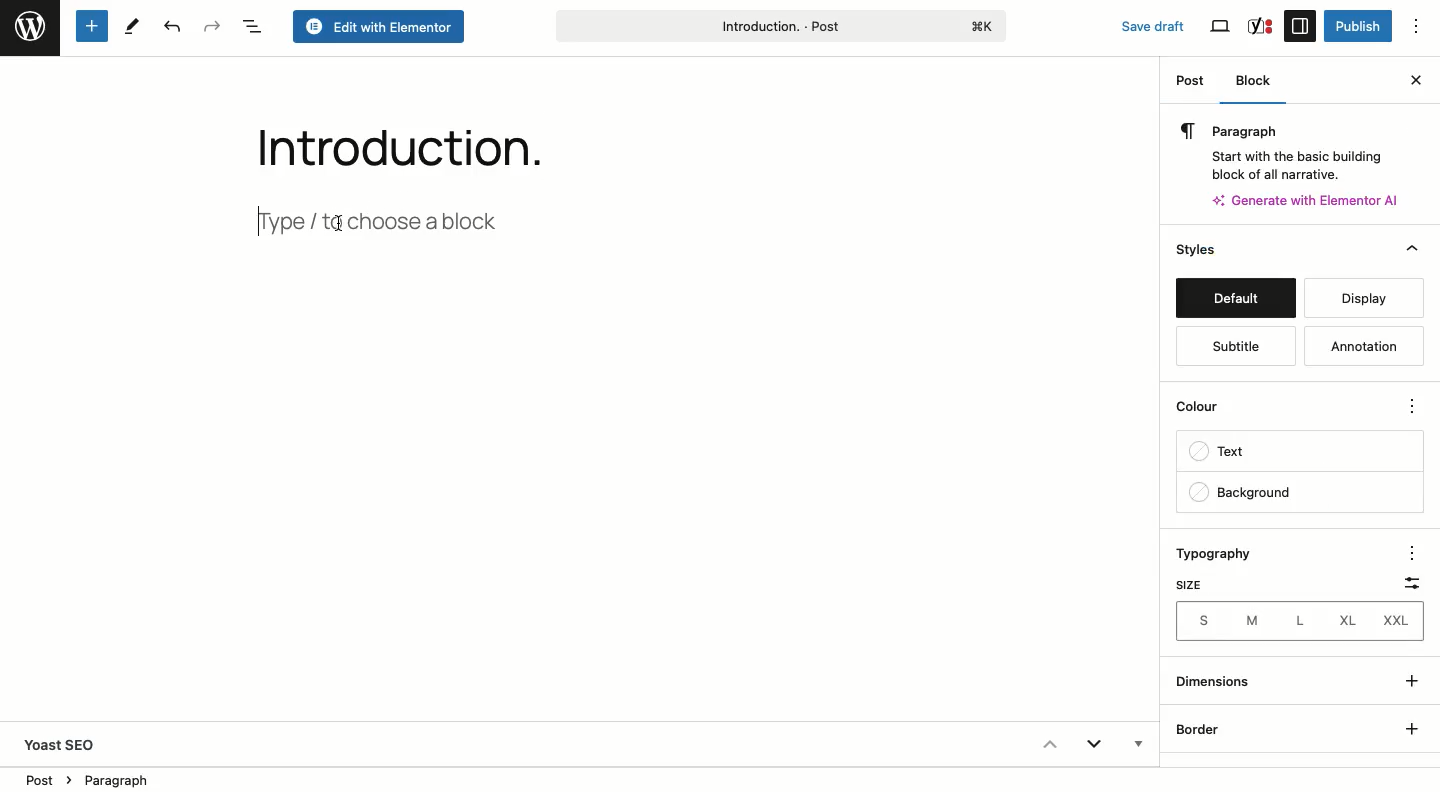  What do you see at coordinates (385, 143) in the screenshot?
I see `Introduction` at bounding box center [385, 143].